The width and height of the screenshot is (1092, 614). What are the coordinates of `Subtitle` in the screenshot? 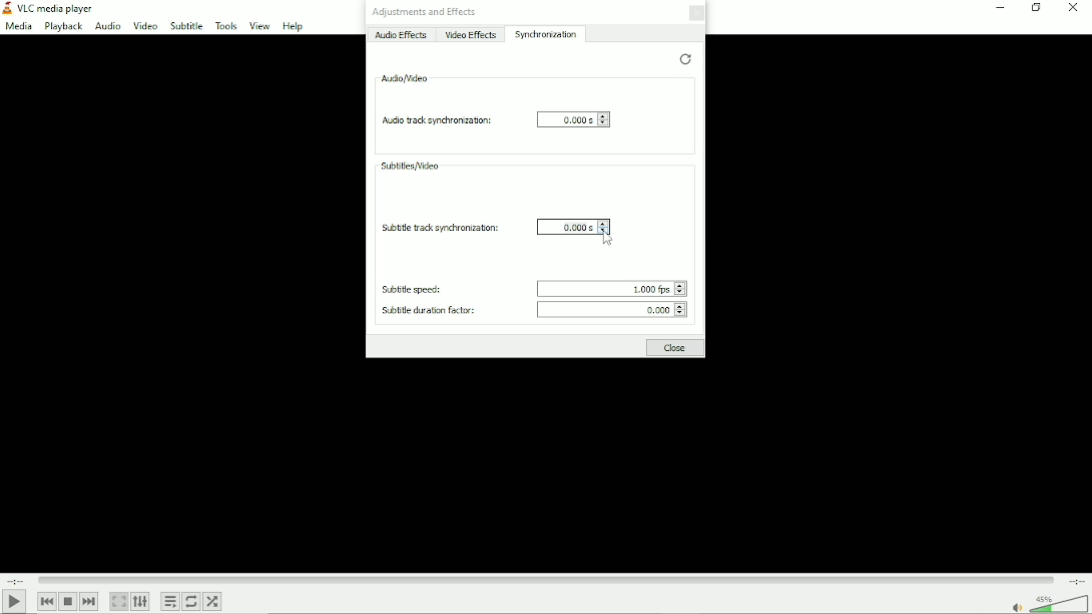 It's located at (186, 26).